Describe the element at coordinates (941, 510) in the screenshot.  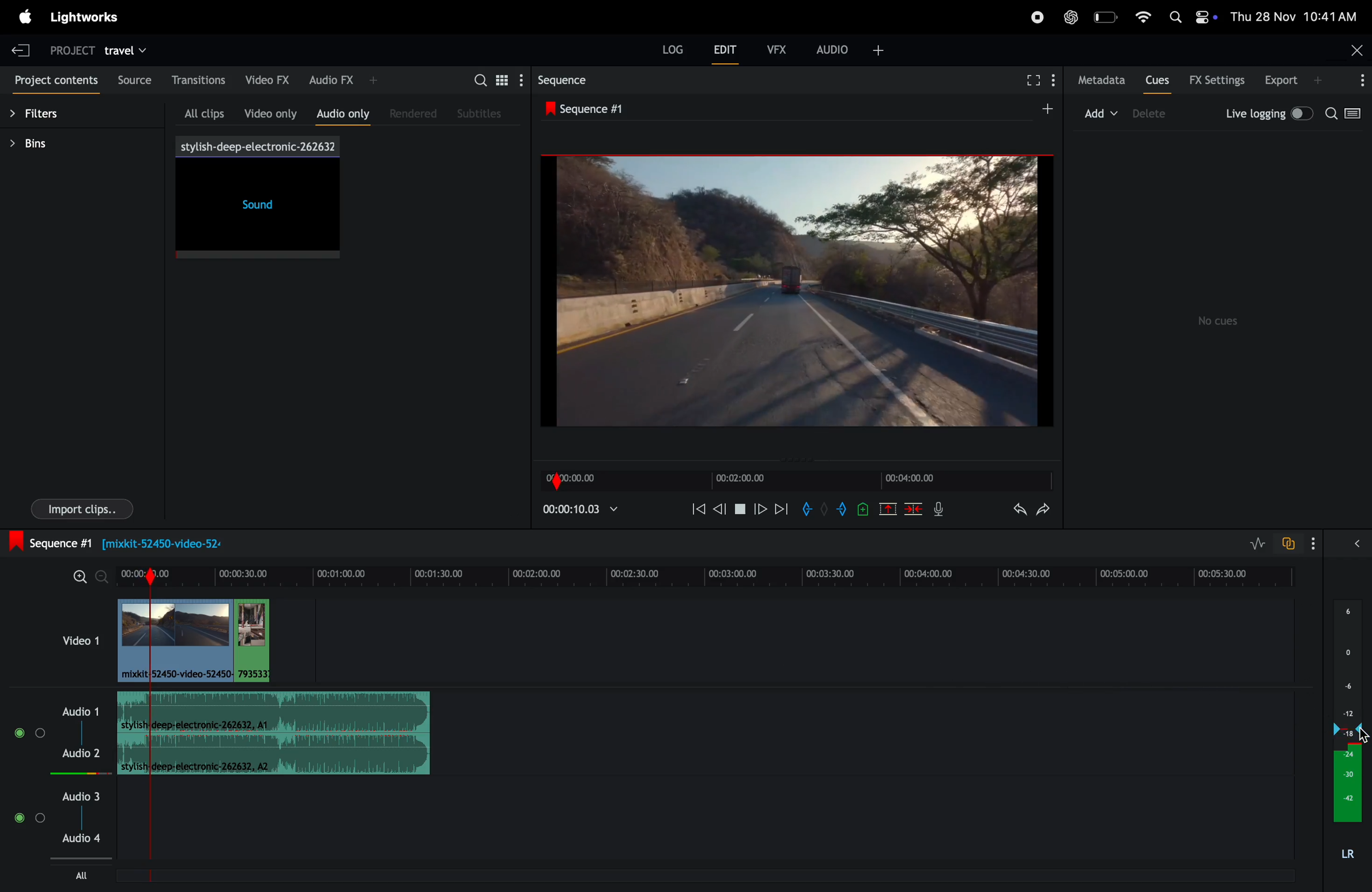
I see `mic` at that location.